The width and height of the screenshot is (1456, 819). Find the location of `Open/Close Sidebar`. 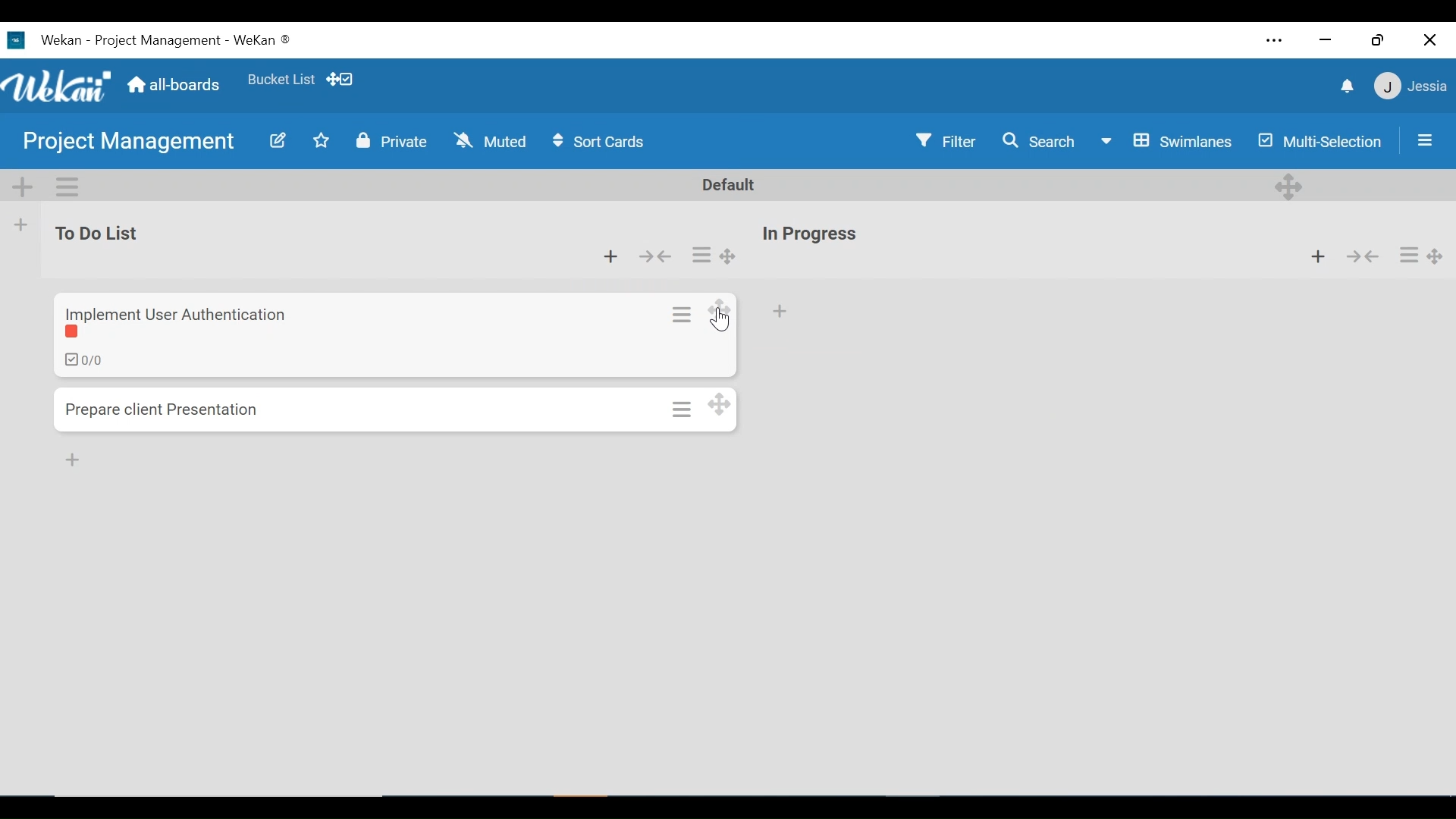

Open/Close Sidebar is located at coordinates (1423, 142).